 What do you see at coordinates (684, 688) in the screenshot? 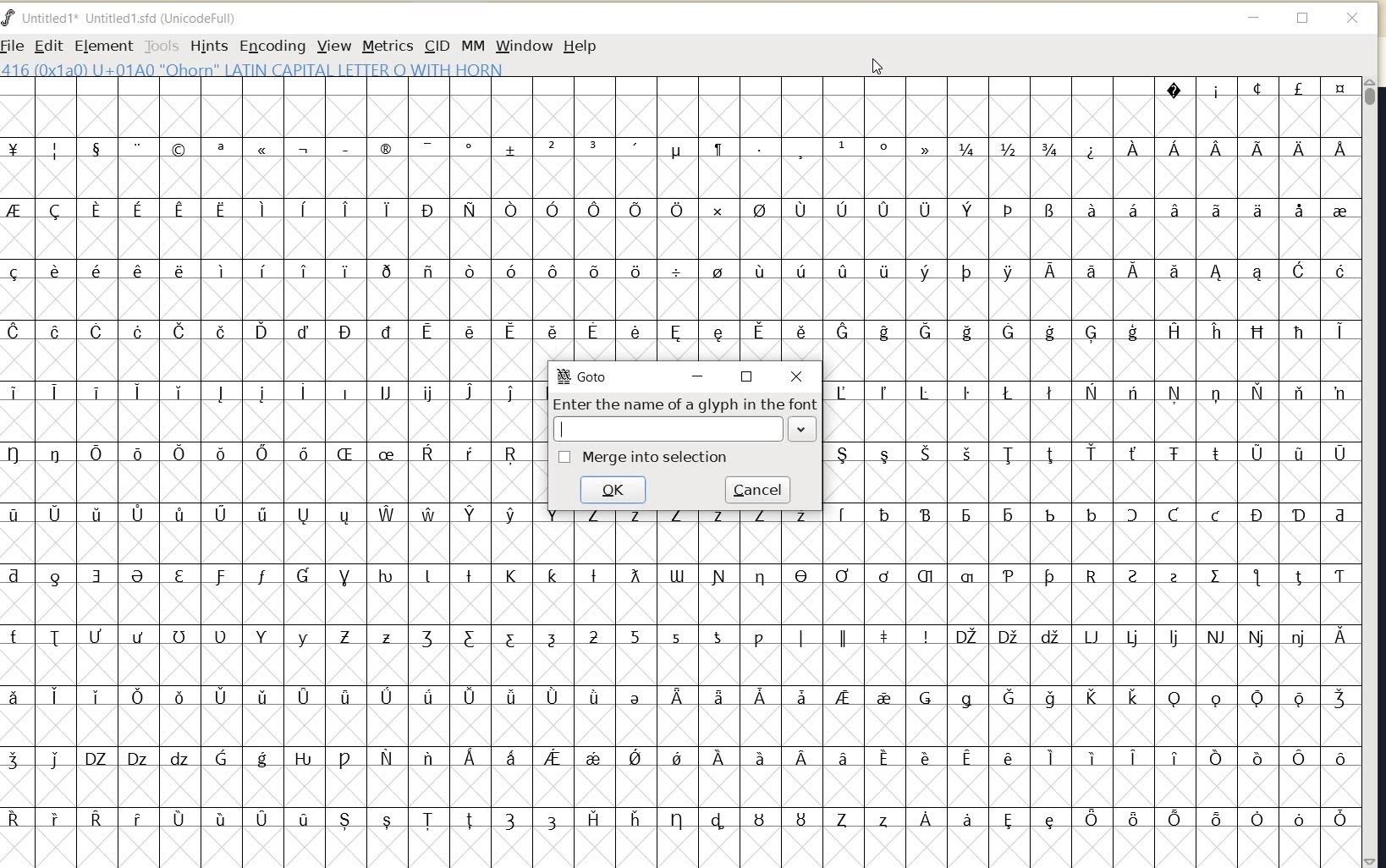
I see `glyph characters & numbers` at bounding box center [684, 688].